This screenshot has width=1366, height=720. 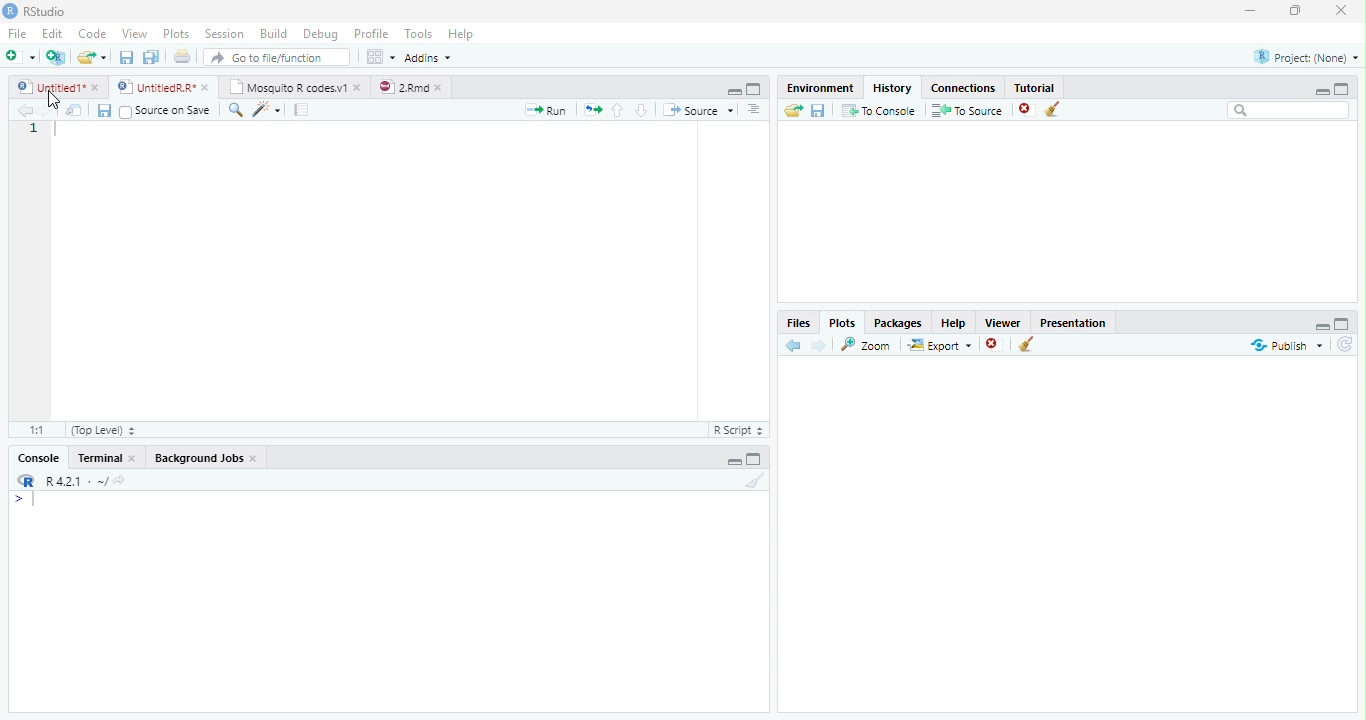 What do you see at coordinates (22, 110) in the screenshot?
I see `Previous Source Location` at bounding box center [22, 110].